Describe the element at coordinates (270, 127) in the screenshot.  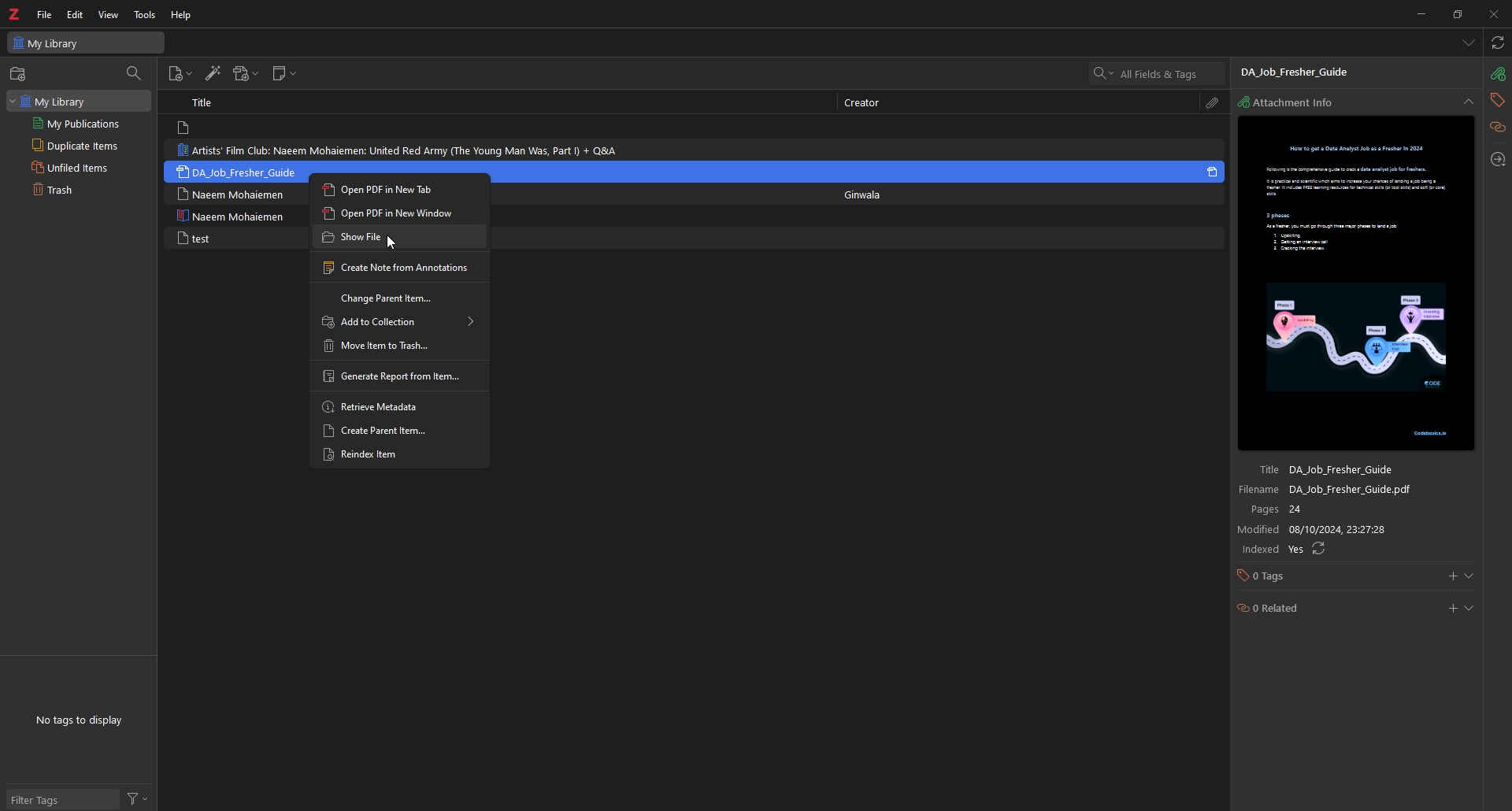
I see `note` at that location.